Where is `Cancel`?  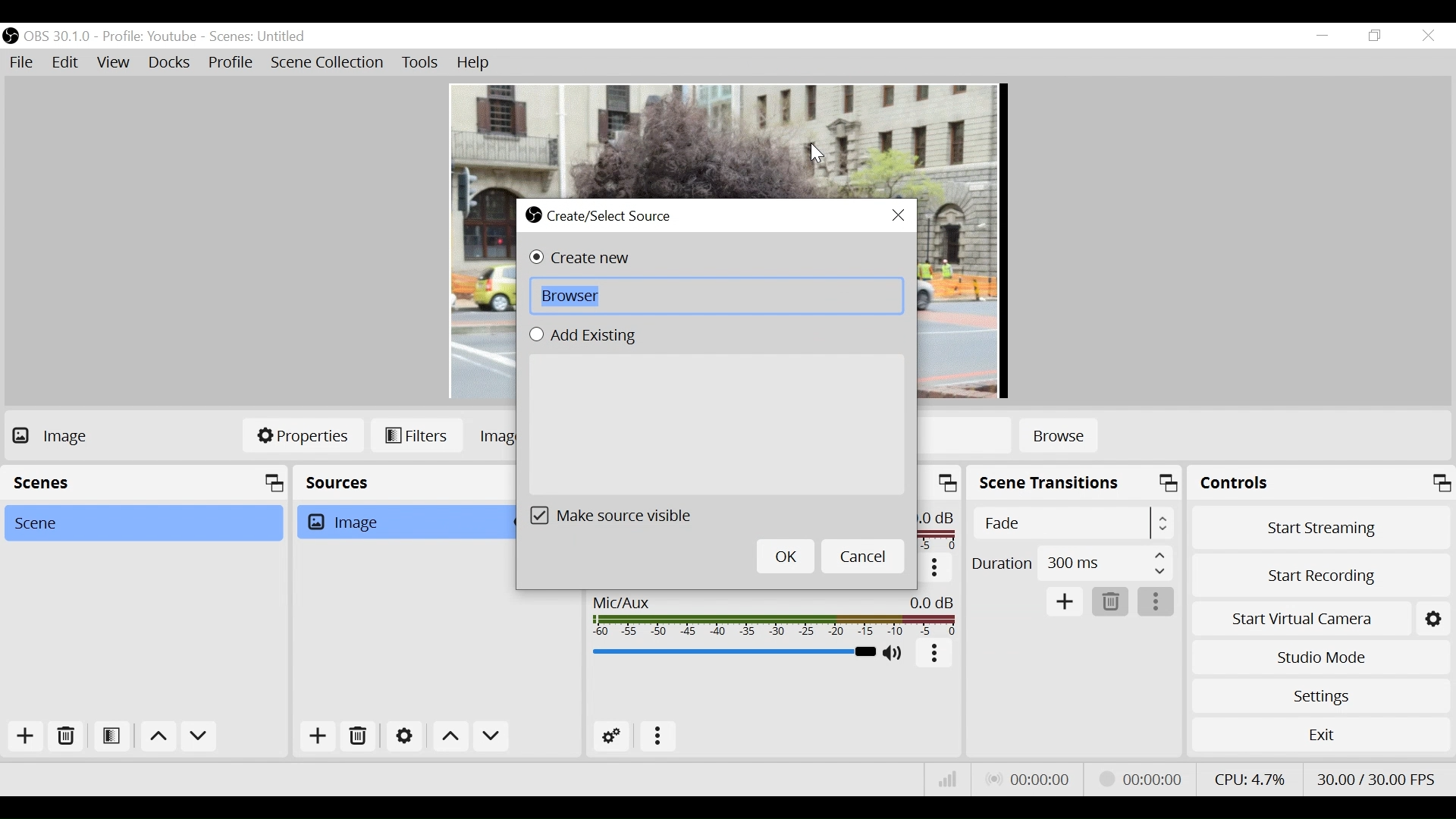
Cancel is located at coordinates (863, 556).